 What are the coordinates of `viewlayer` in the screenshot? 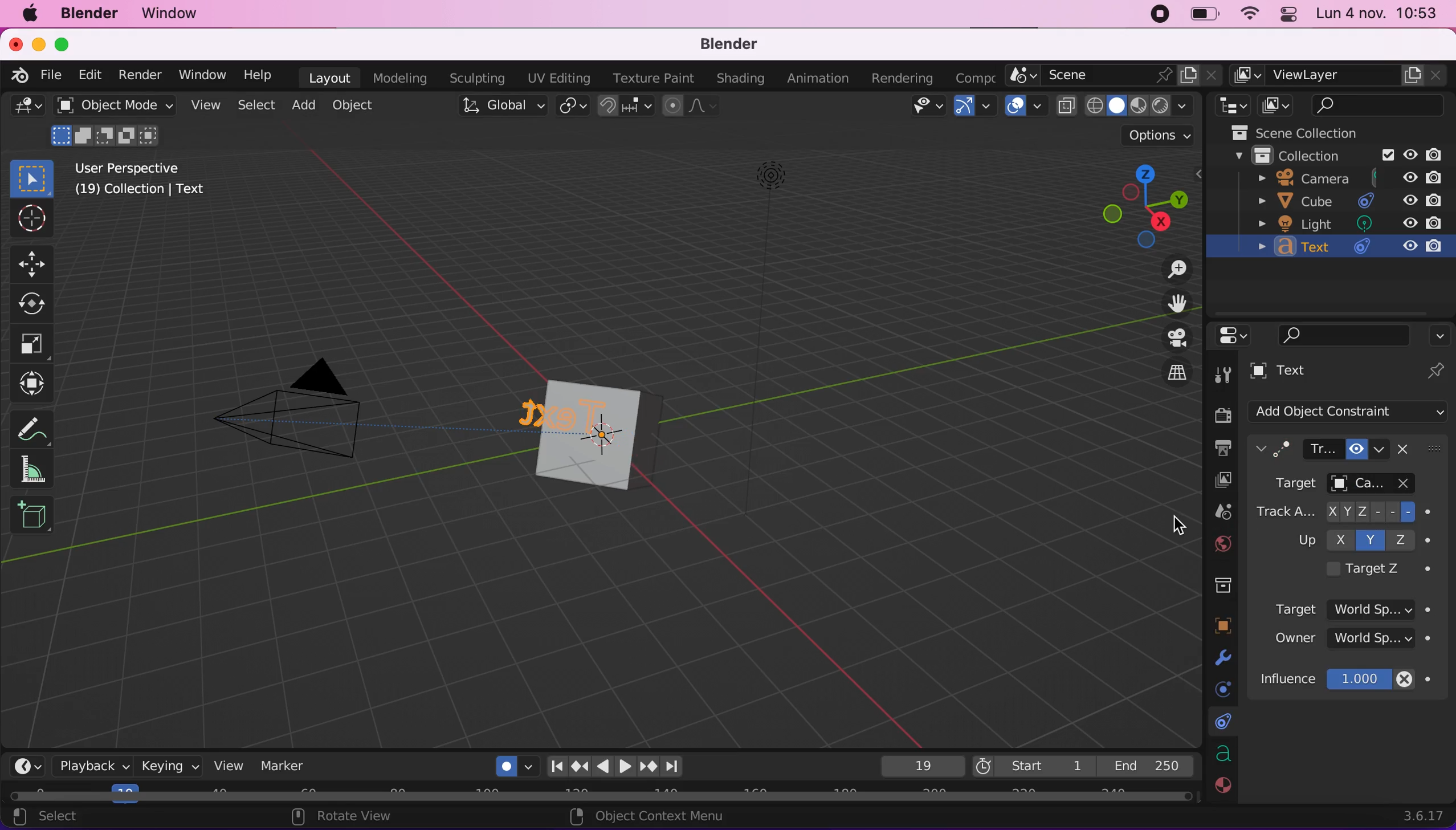 It's located at (1214, 481).